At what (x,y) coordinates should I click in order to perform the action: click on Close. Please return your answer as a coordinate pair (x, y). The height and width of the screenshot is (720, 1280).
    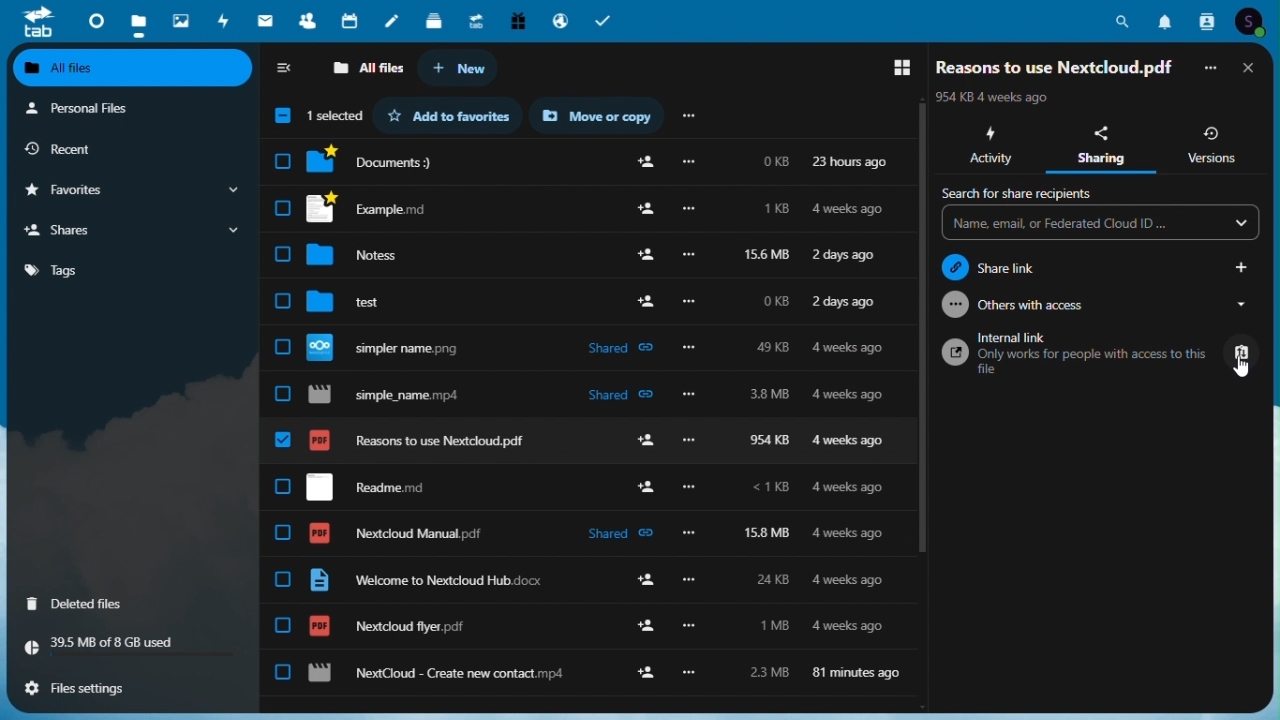
    Looking at the image, I should click on (1252, 67).